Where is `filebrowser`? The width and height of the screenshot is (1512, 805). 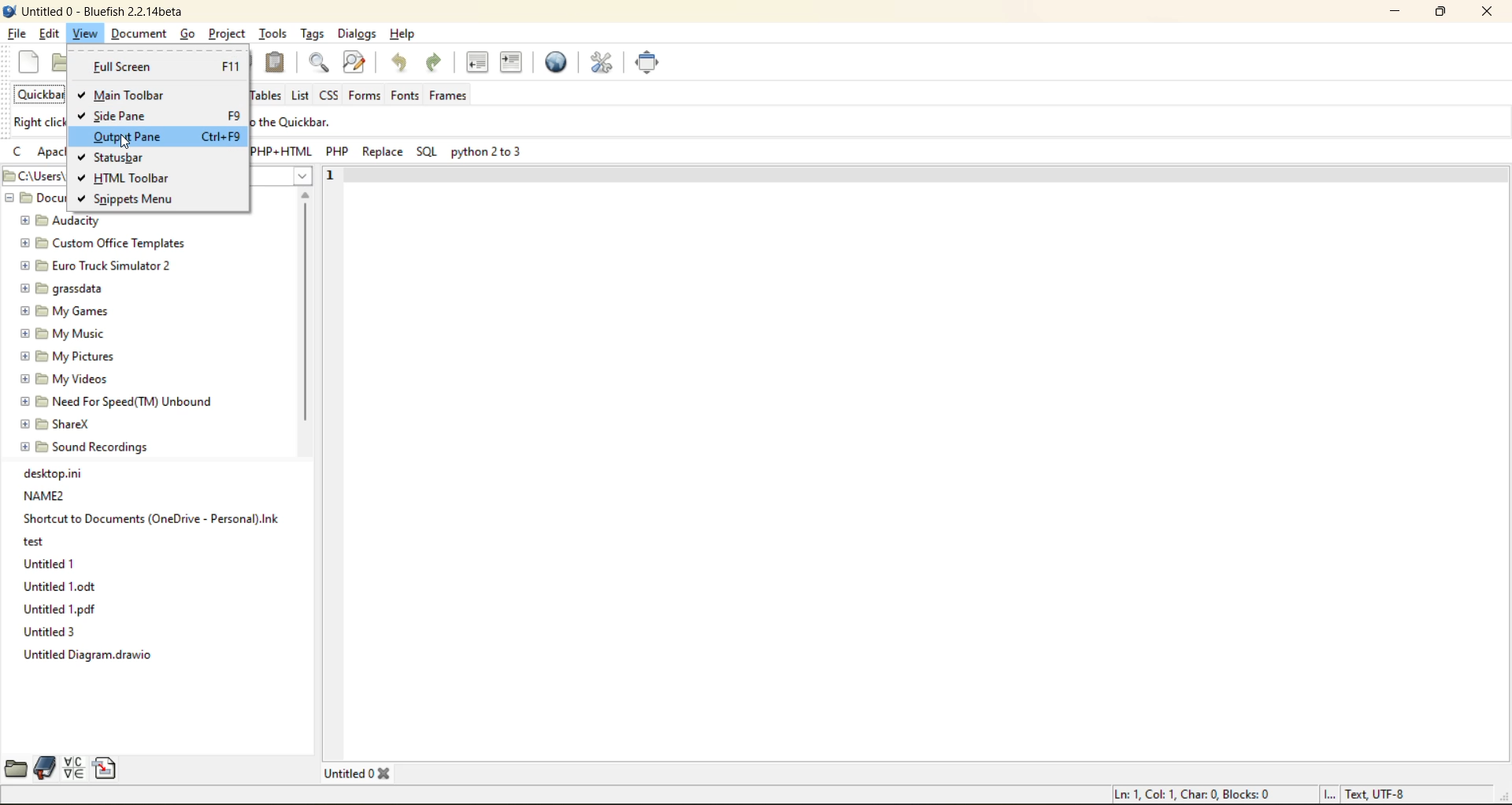 filebrowser is located at coordinates (15, 769).